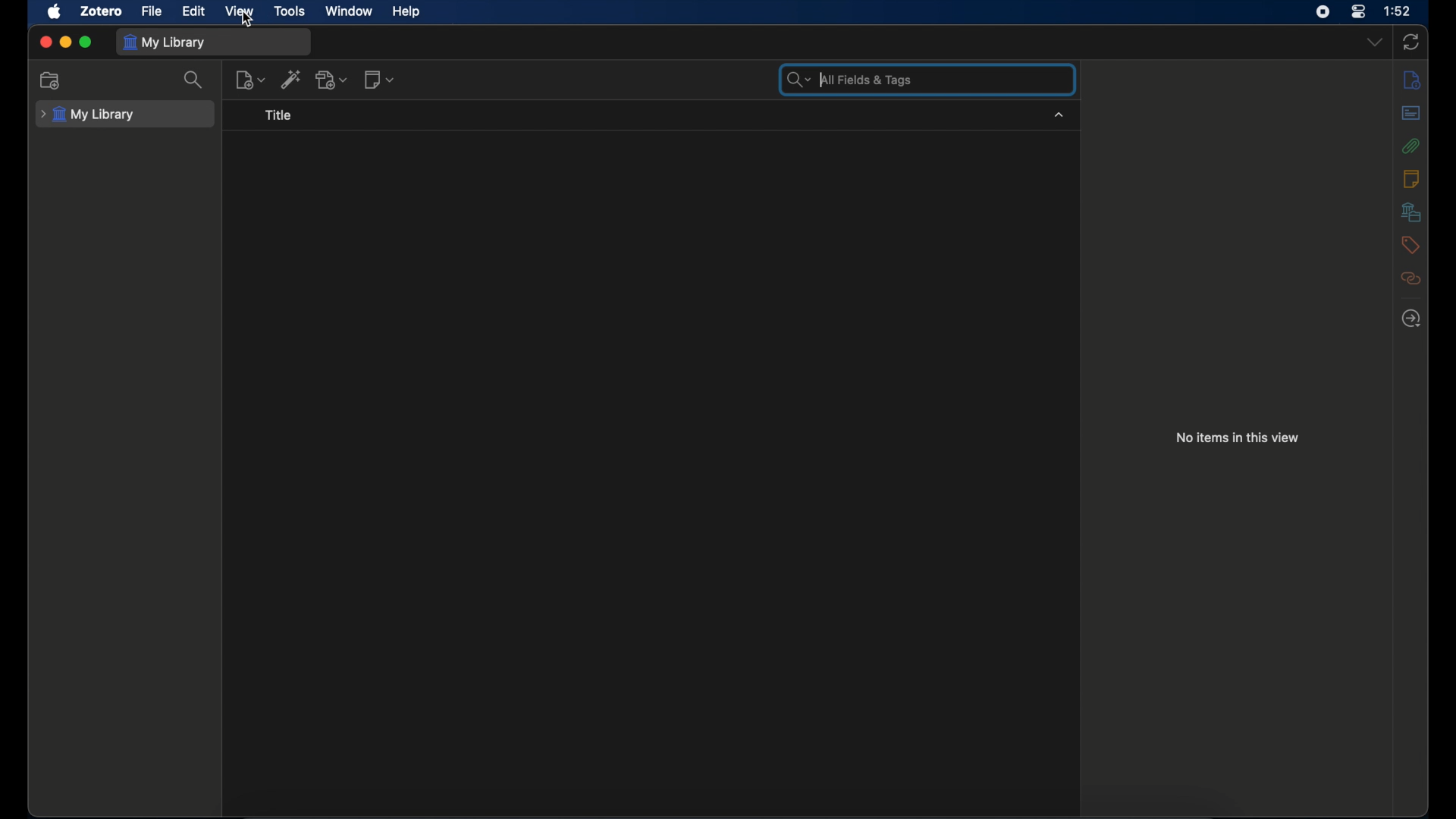  What do you see at coordinates (281, 115) in the screenshot?
I see `title` at bounding box center [281, 115].